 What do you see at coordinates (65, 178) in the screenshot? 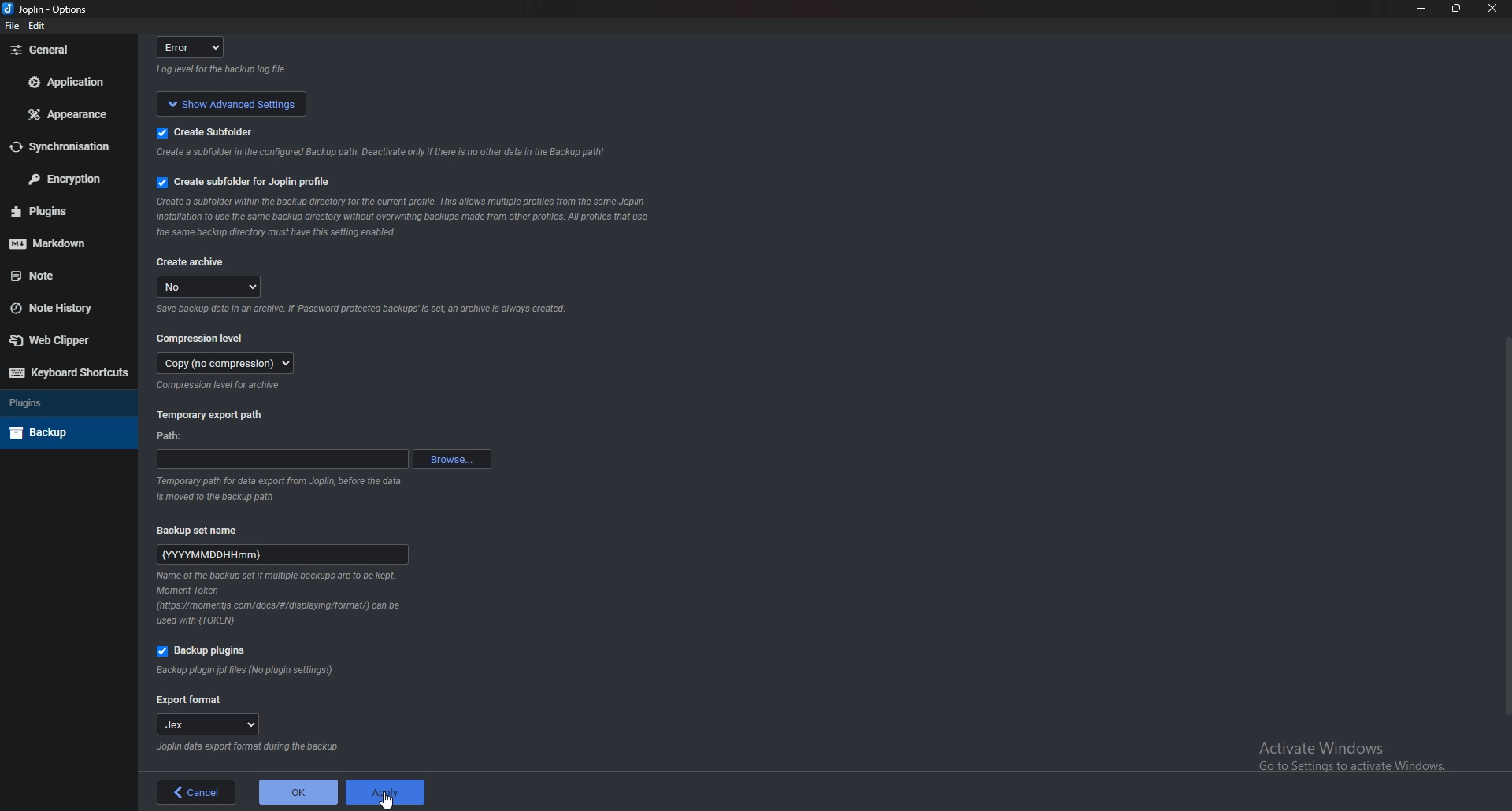
I see `Encryption` at bounding box center [65, 178].